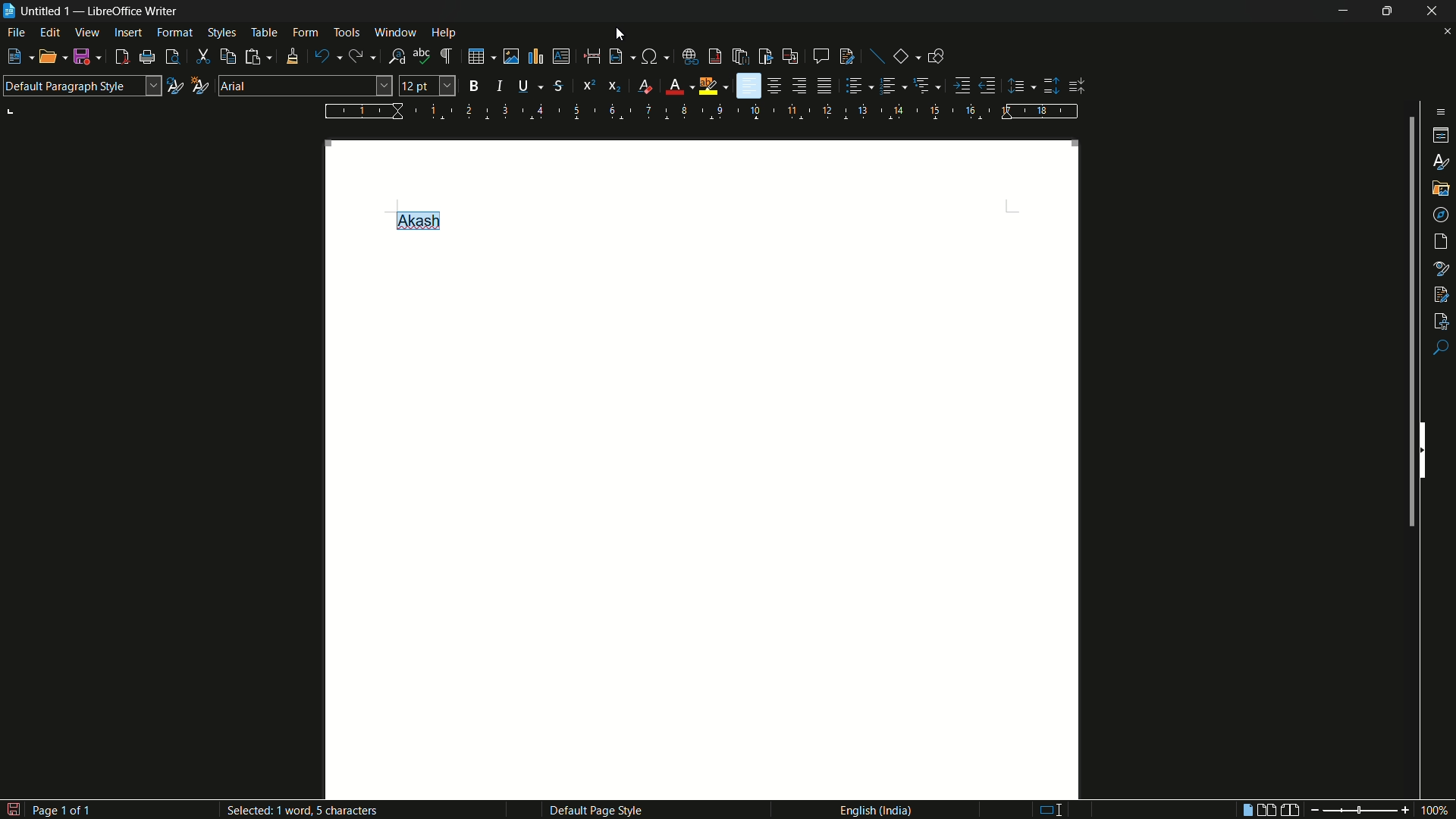  Describe the element at coordinates (648, 87) in the screenshot. I see `clear direct formatting` at that location.